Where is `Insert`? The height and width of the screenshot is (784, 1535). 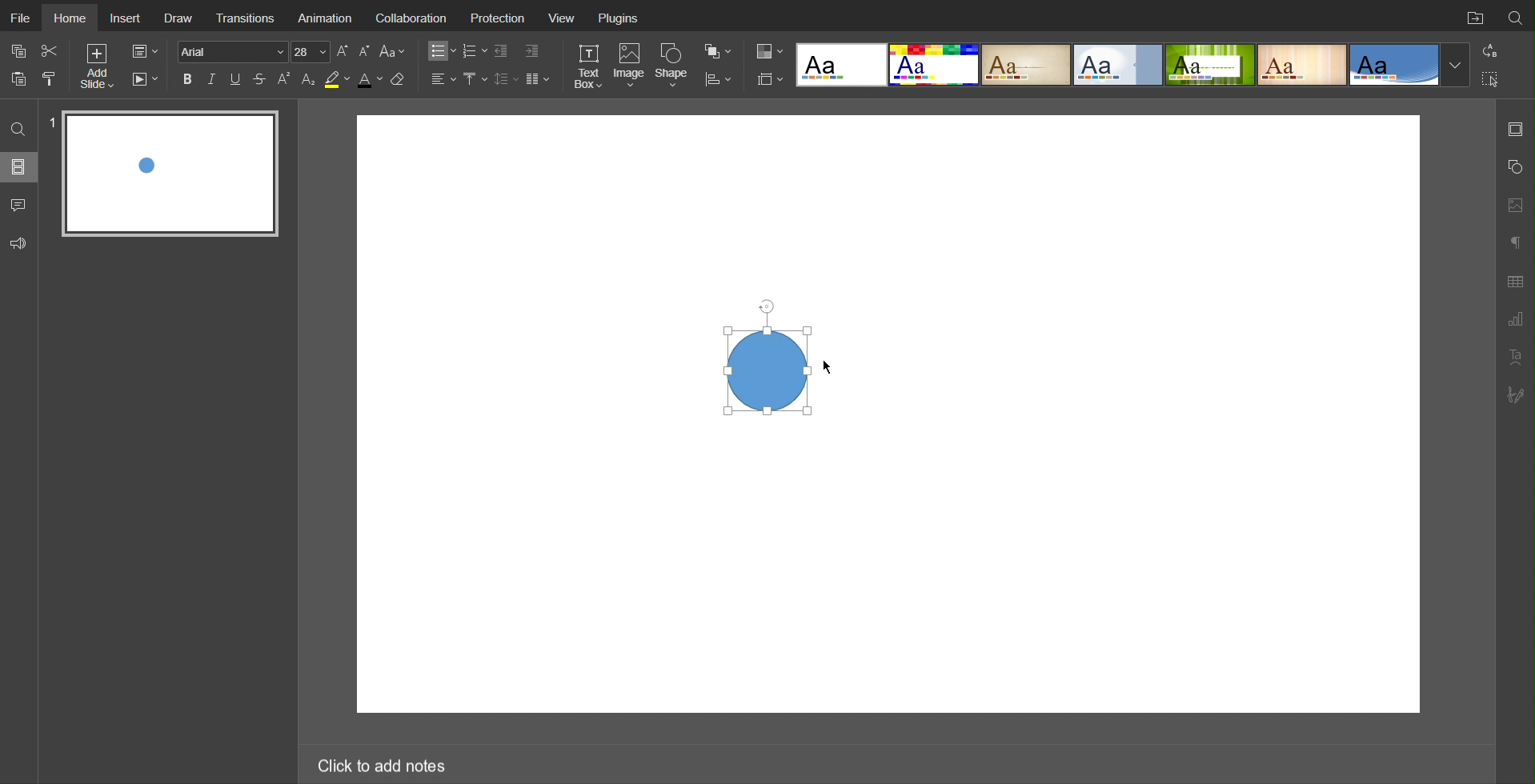
Insert is located at coordinates (127, 18).